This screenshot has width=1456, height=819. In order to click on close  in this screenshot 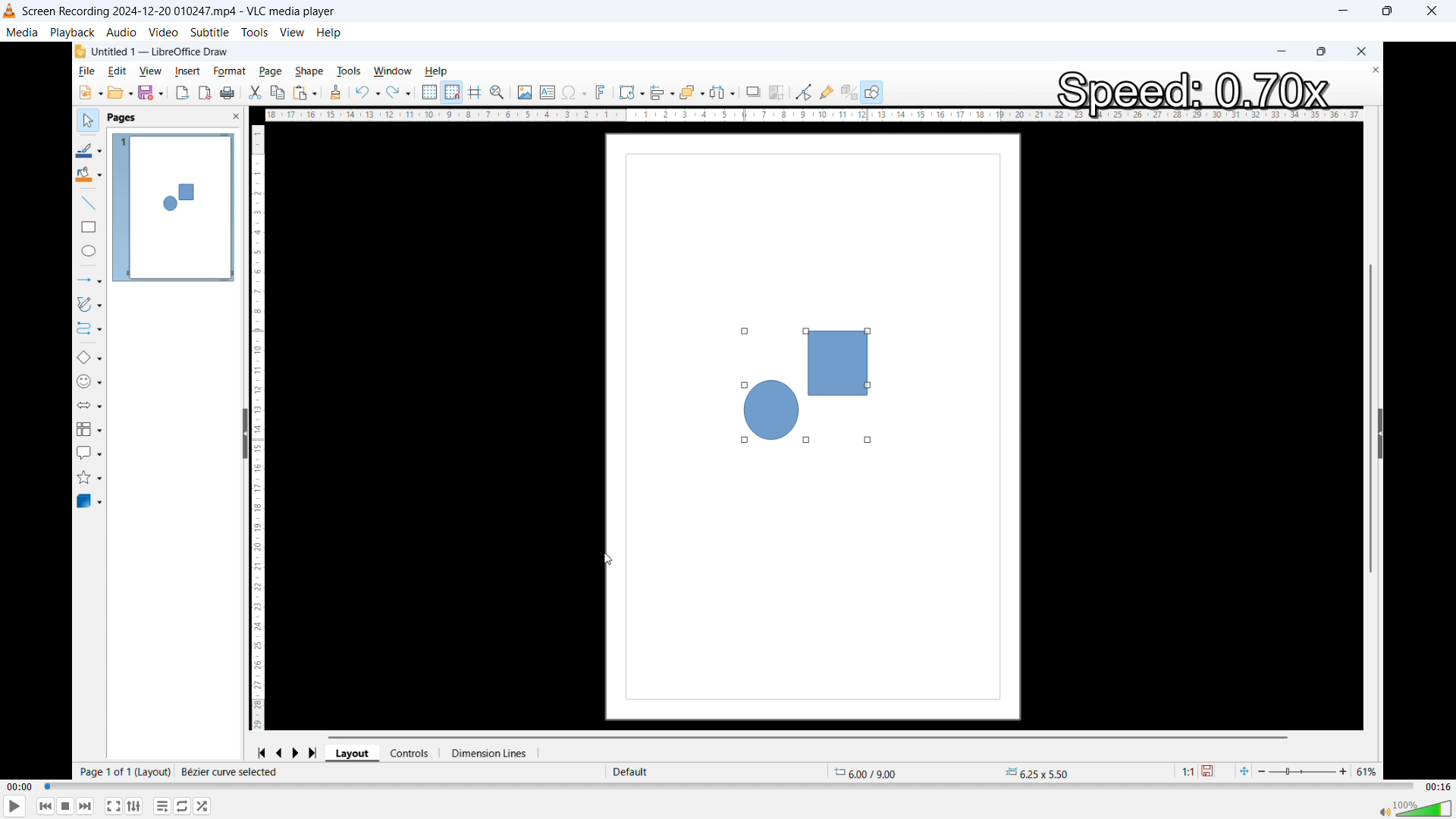, I will do `click(1432, 11)`.